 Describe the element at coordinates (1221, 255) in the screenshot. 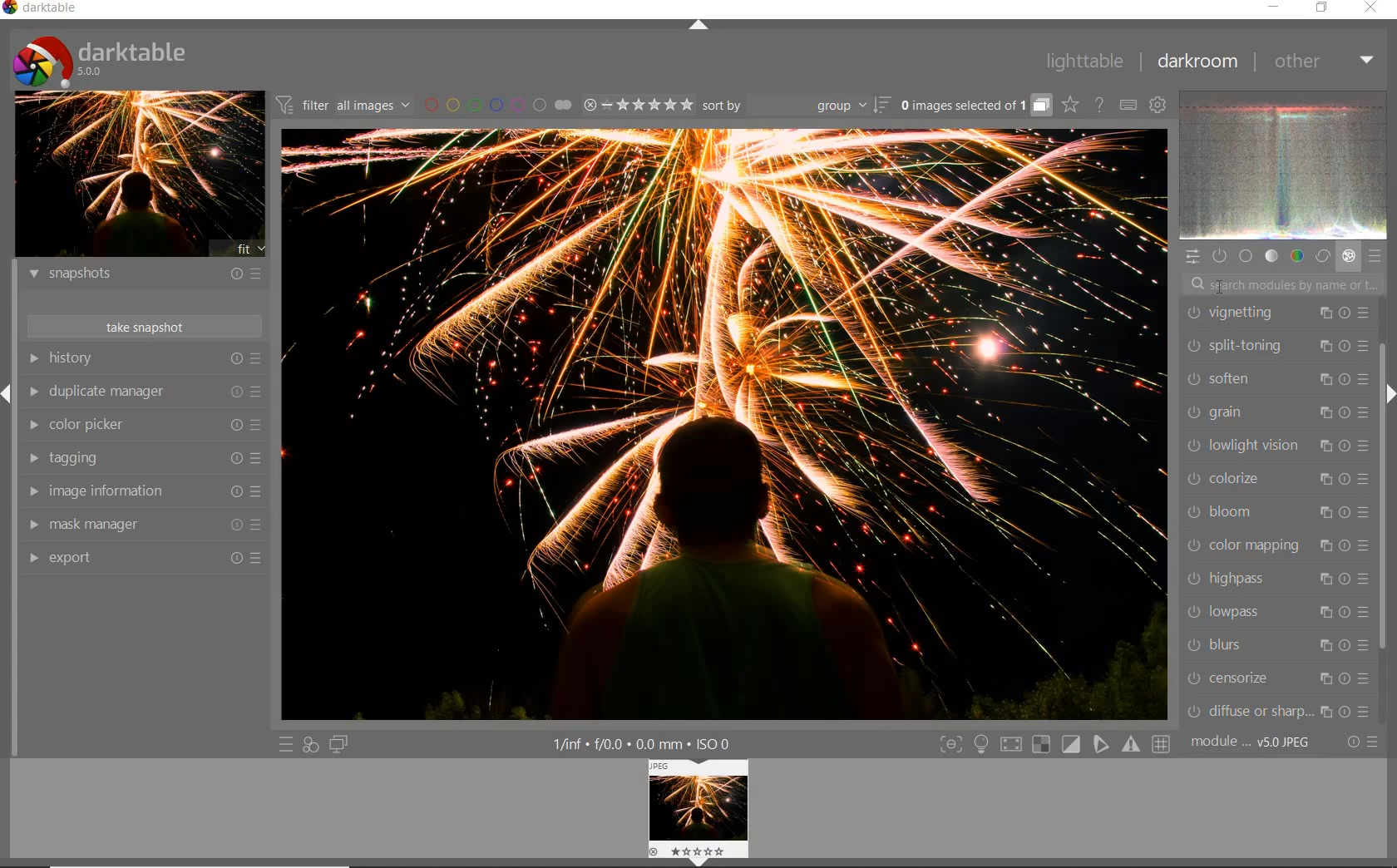

I see `show only active modules` at that location.